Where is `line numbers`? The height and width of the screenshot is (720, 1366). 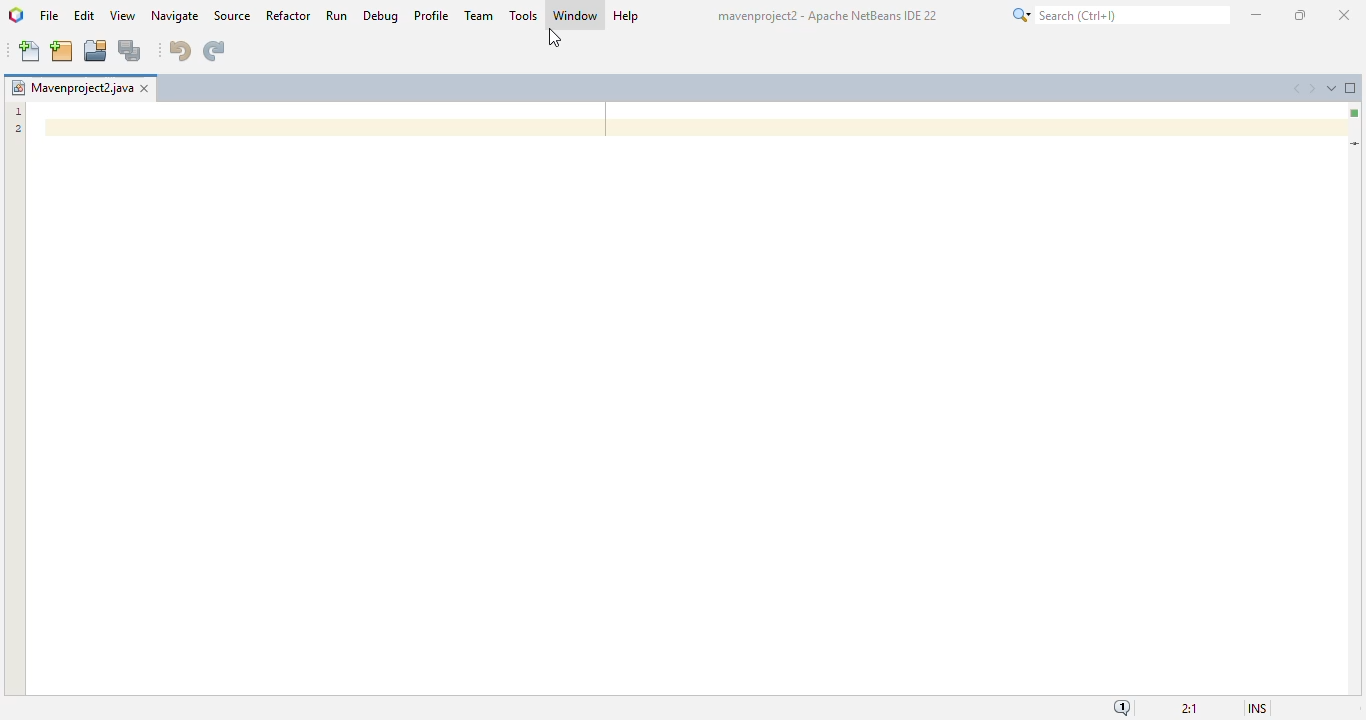
line numbers is located at coordinates (17, 119).